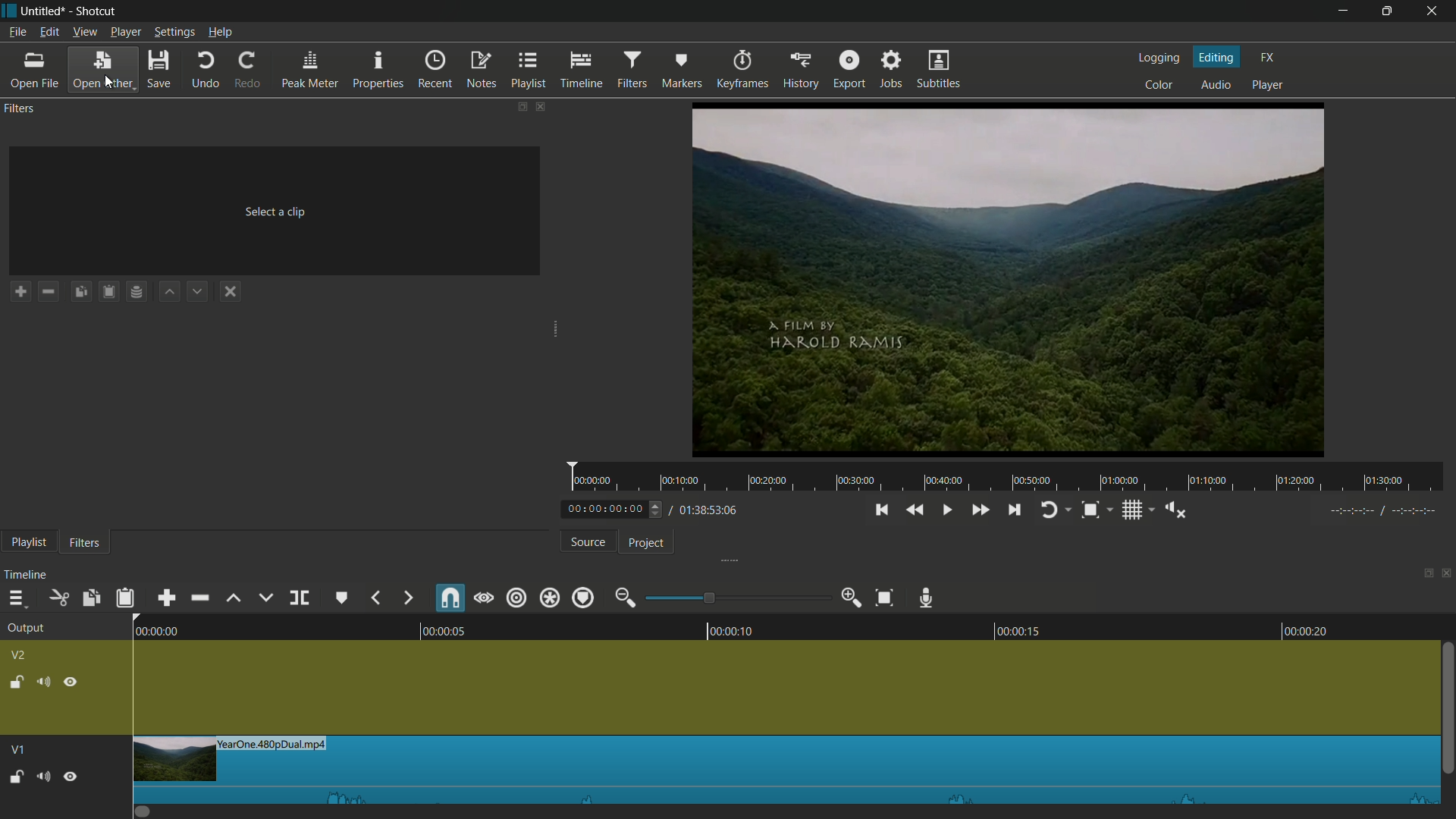 Image resolution: width=1456 pixels, height=819 pixels. I want to click on 00:00:15, so click(1010, 628).